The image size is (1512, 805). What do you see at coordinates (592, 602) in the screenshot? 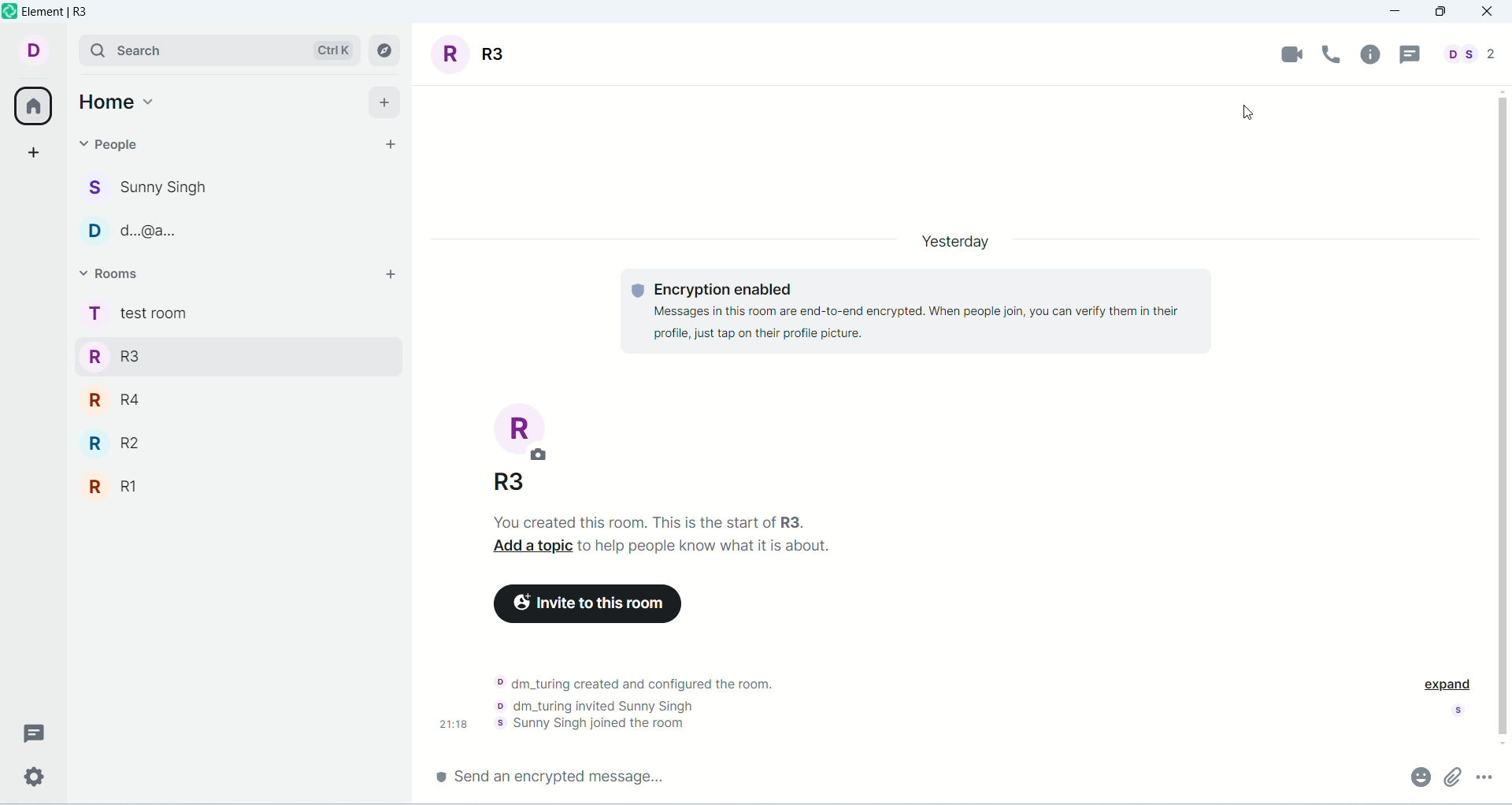
I see `invite to this room` at bounding box center [592, 602].